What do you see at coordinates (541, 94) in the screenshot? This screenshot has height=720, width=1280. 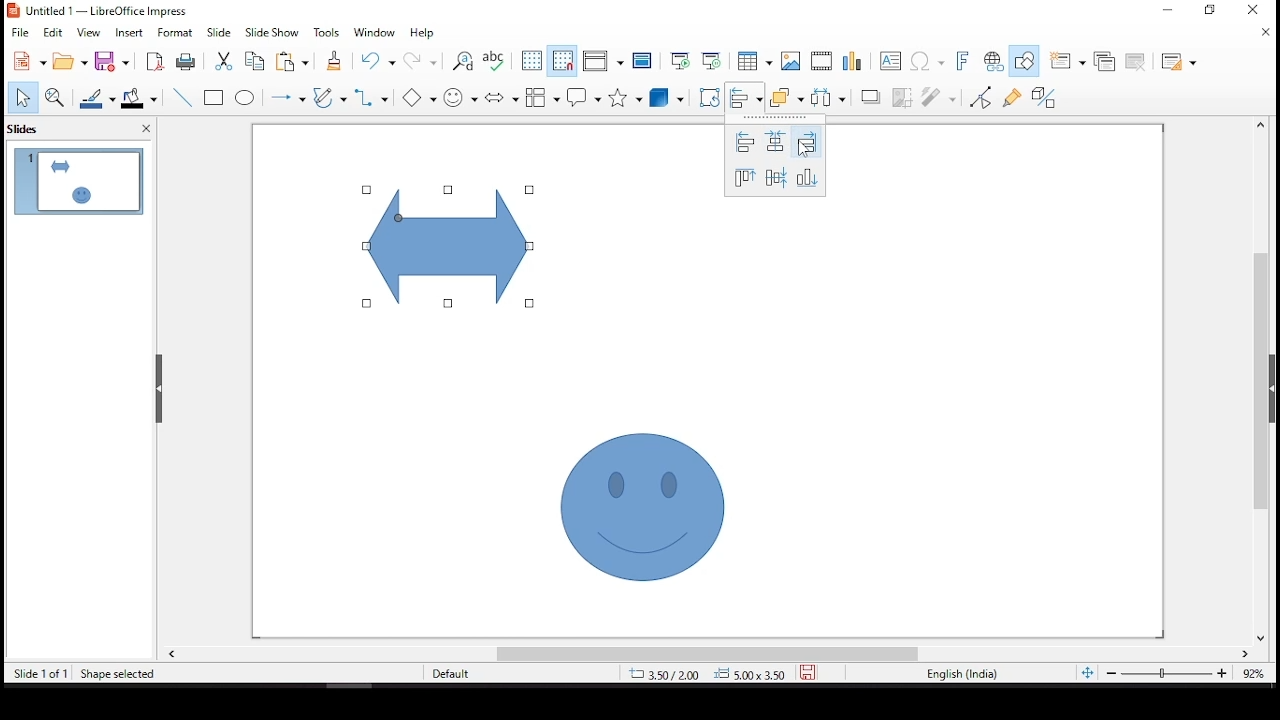 I see `flowchart` at bounding box center [541, 94].